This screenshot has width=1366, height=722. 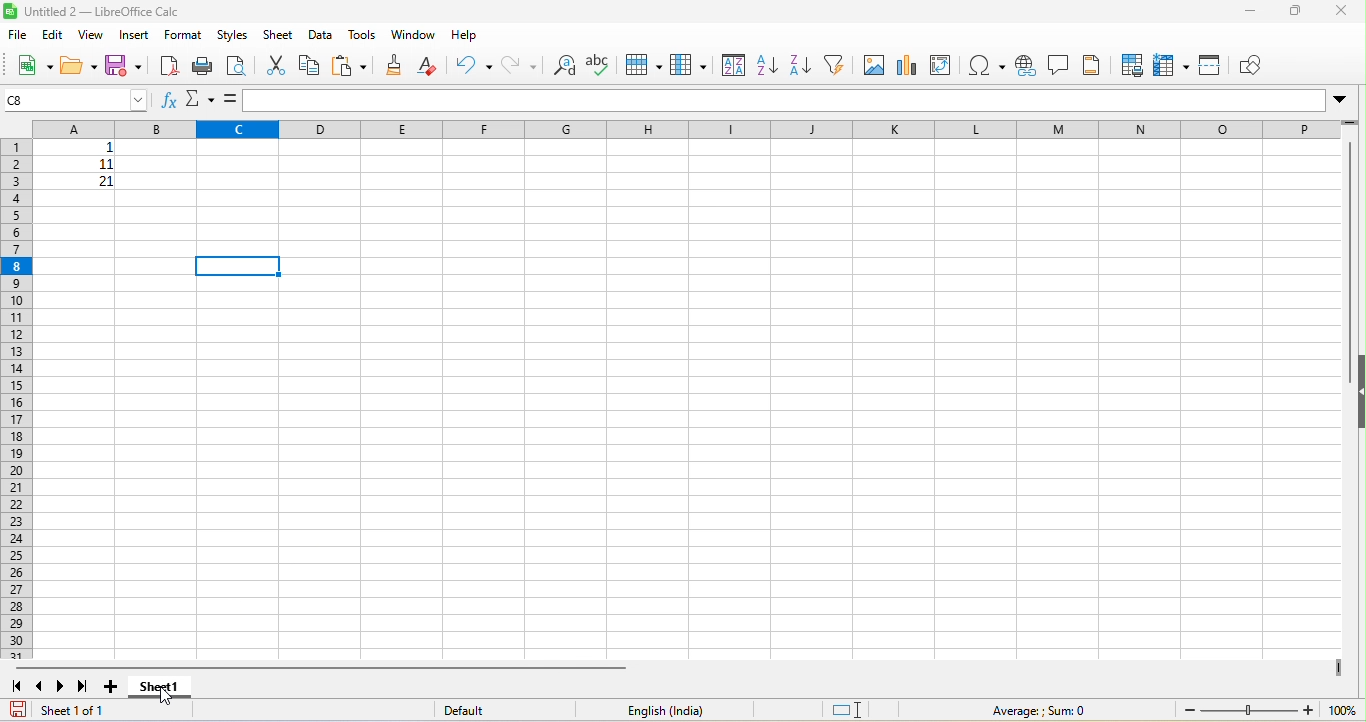 I want to click on edit, so click(x=51, y=35).